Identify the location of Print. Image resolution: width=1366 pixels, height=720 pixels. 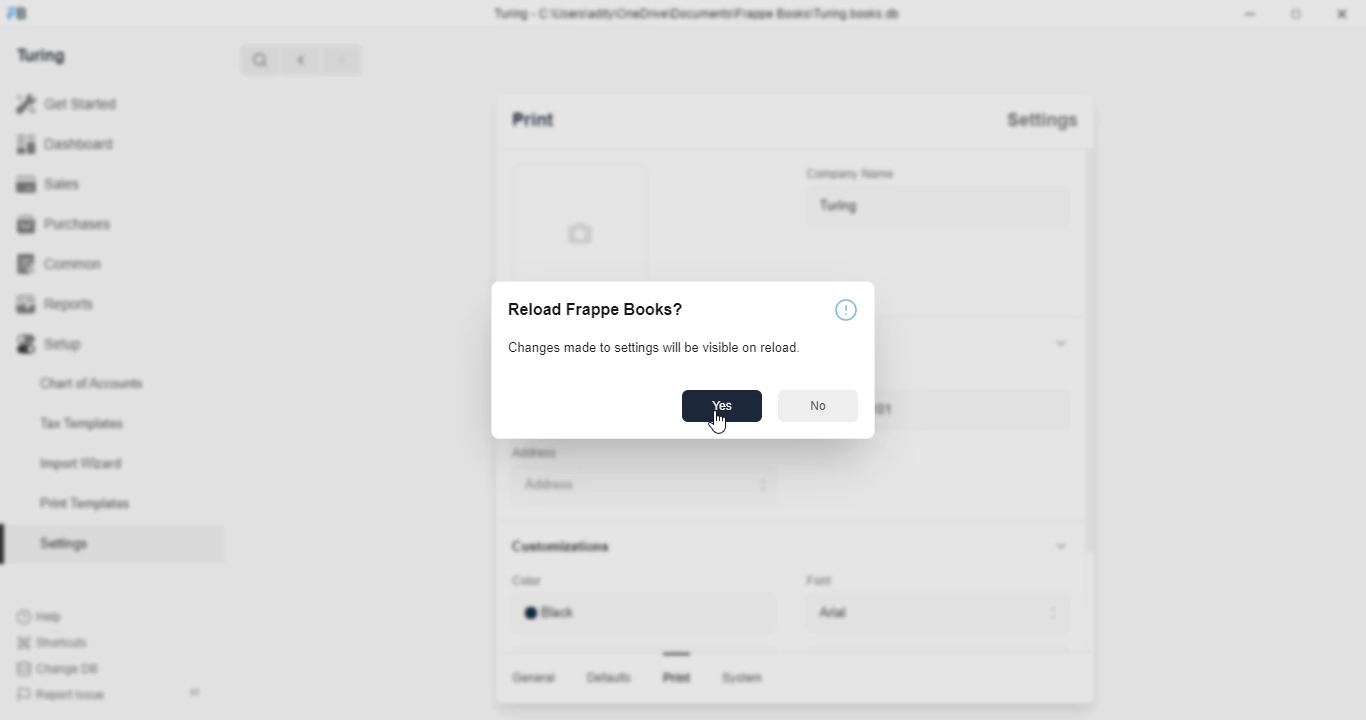
(676, 678).